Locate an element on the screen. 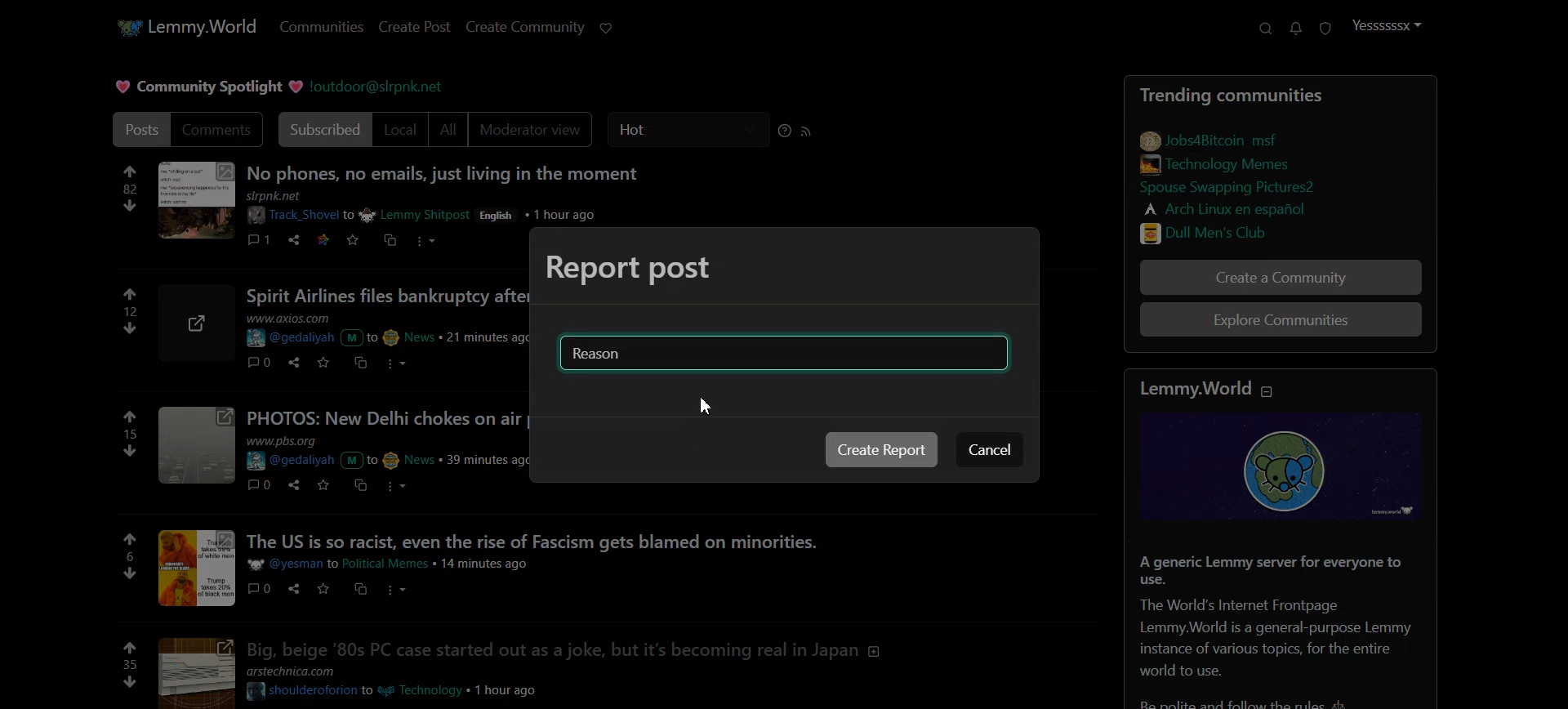  share is located at coordinates (291, 361).